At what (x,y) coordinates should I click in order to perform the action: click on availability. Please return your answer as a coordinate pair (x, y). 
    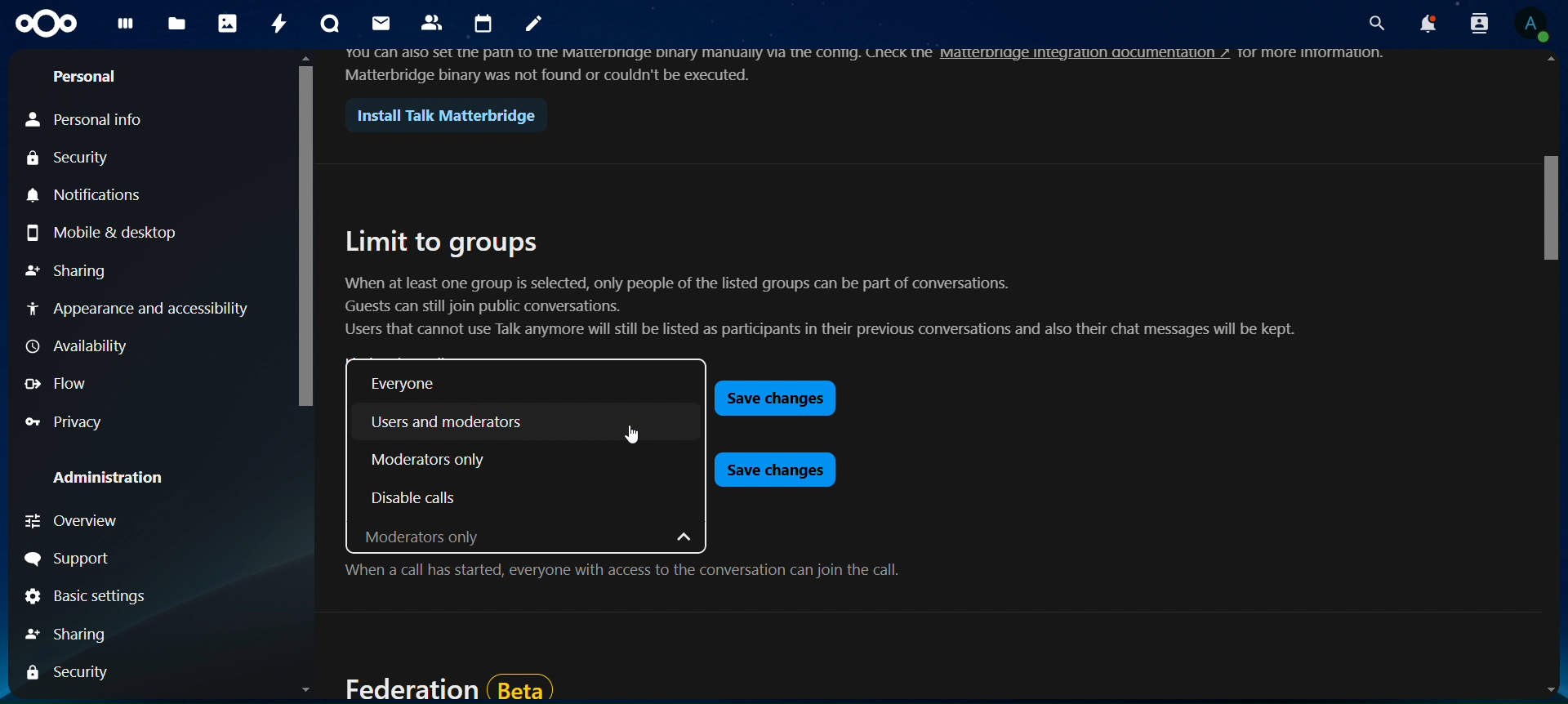
    Looking at the image, I should click on (79, 347).